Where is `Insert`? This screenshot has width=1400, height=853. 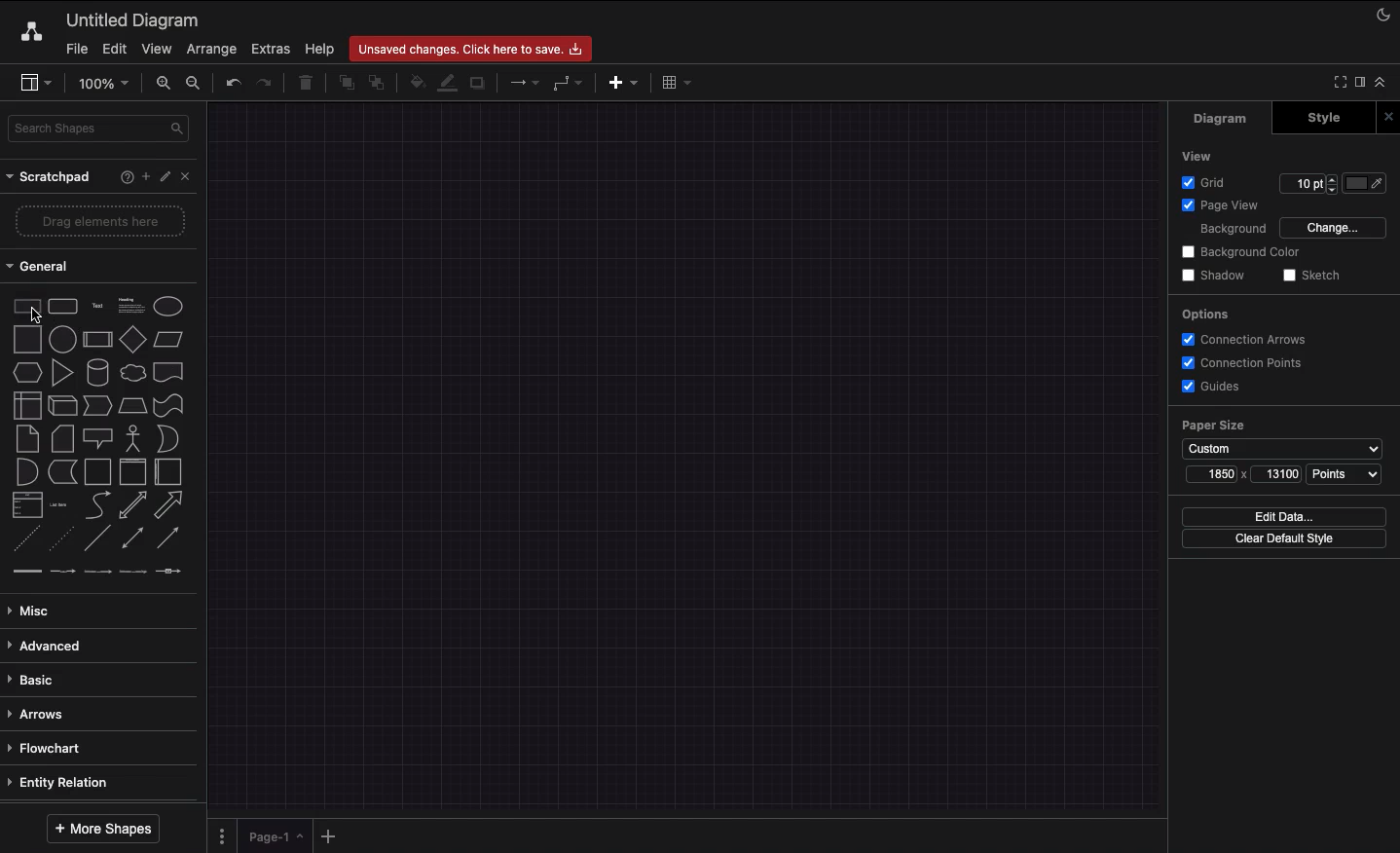 Insert is located at coordinates (622, 83).